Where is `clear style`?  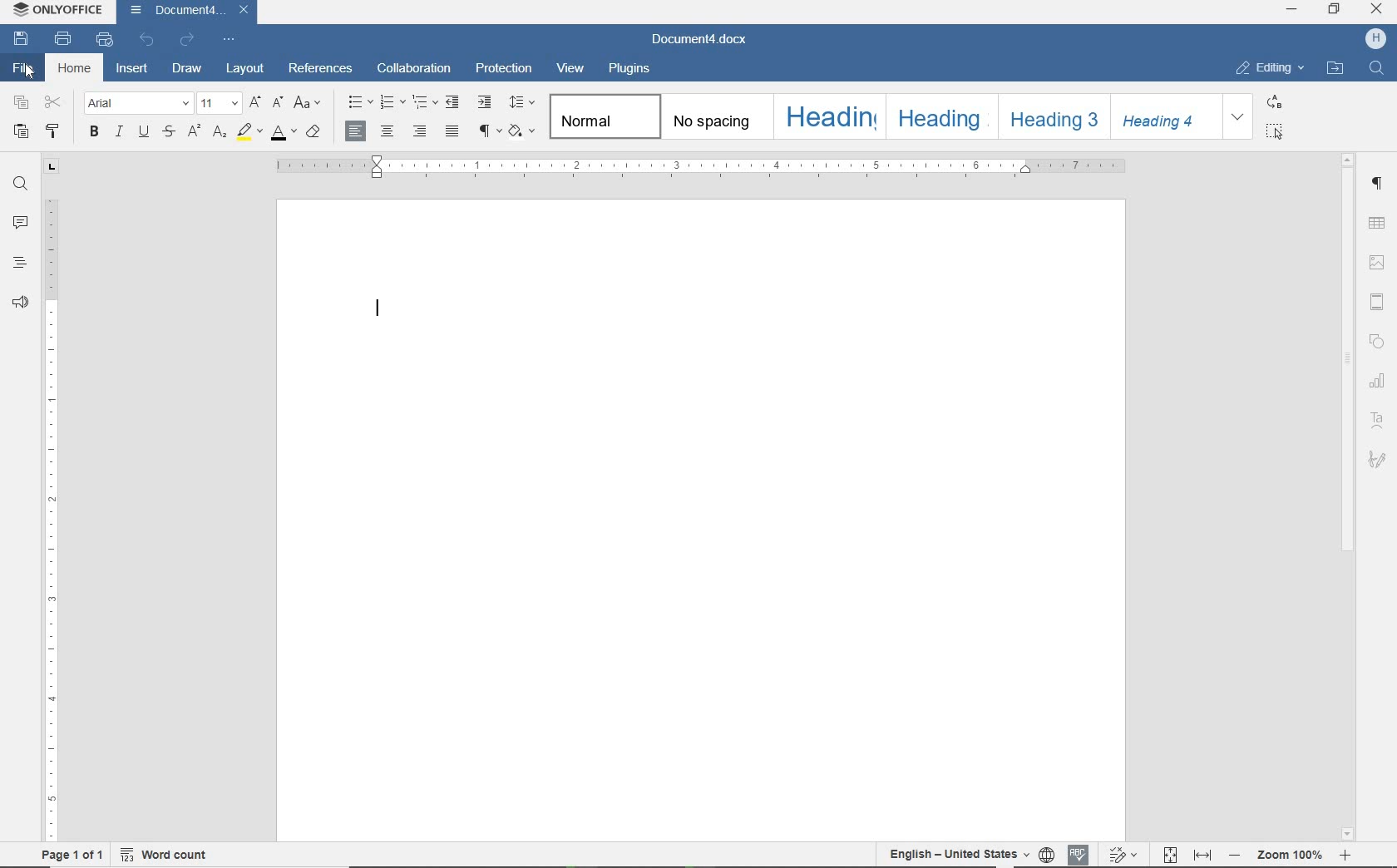 clear style is located at coordinates (317, 133).